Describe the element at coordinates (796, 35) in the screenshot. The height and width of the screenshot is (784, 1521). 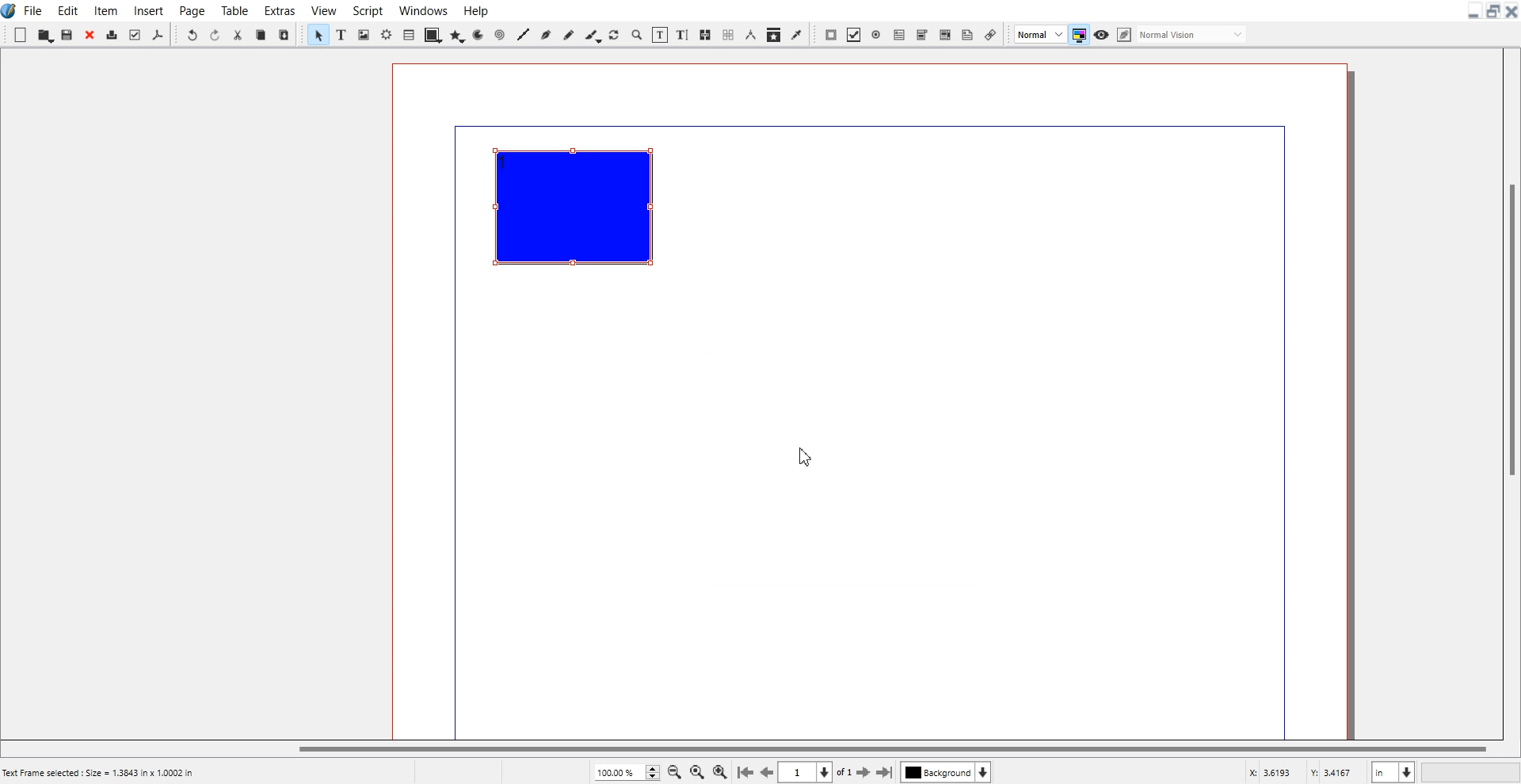
I see `Eye Dropper` at that location.